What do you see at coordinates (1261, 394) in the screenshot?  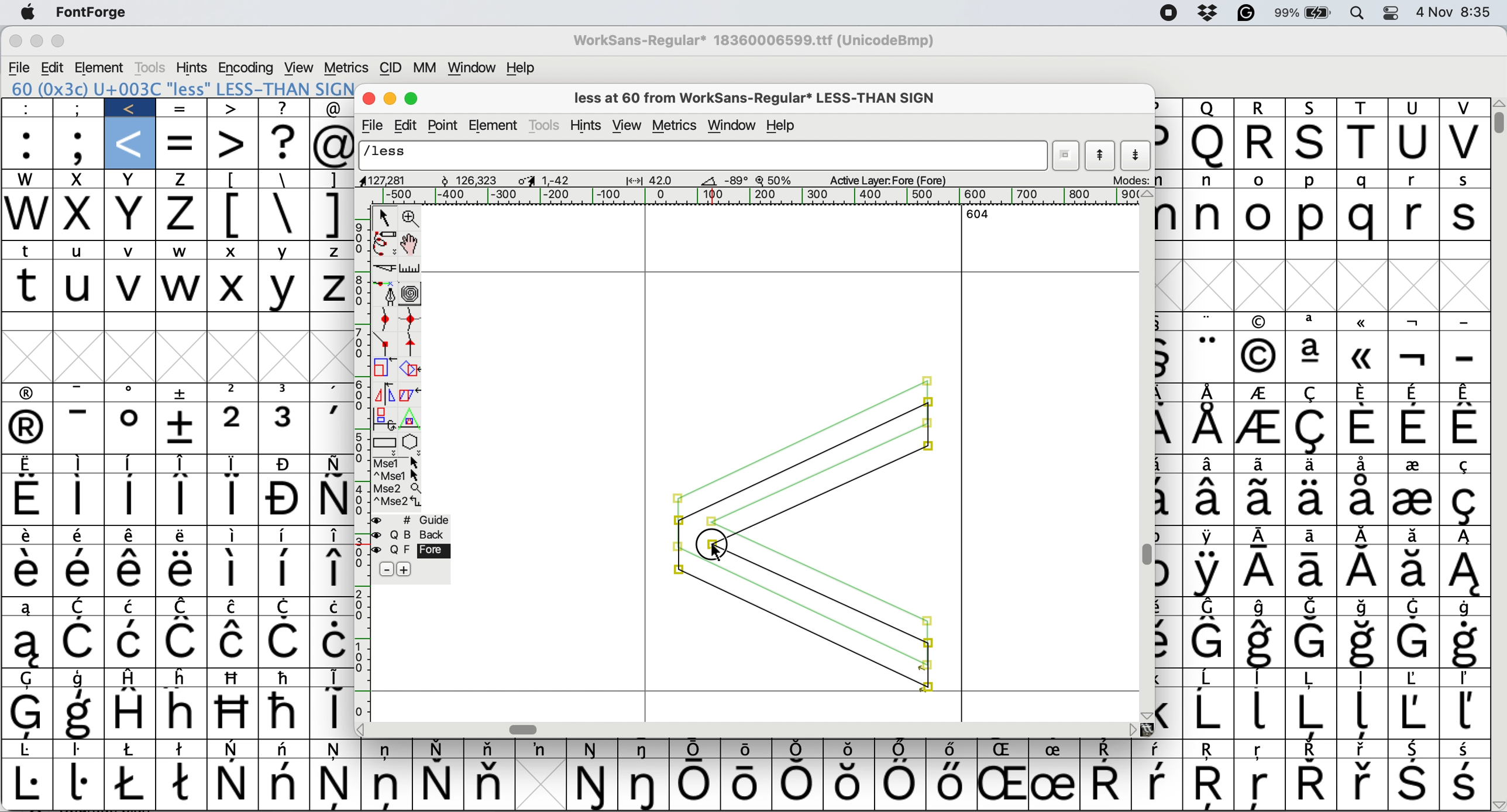 I see `Symbol` at bounding box center [1261, 394].